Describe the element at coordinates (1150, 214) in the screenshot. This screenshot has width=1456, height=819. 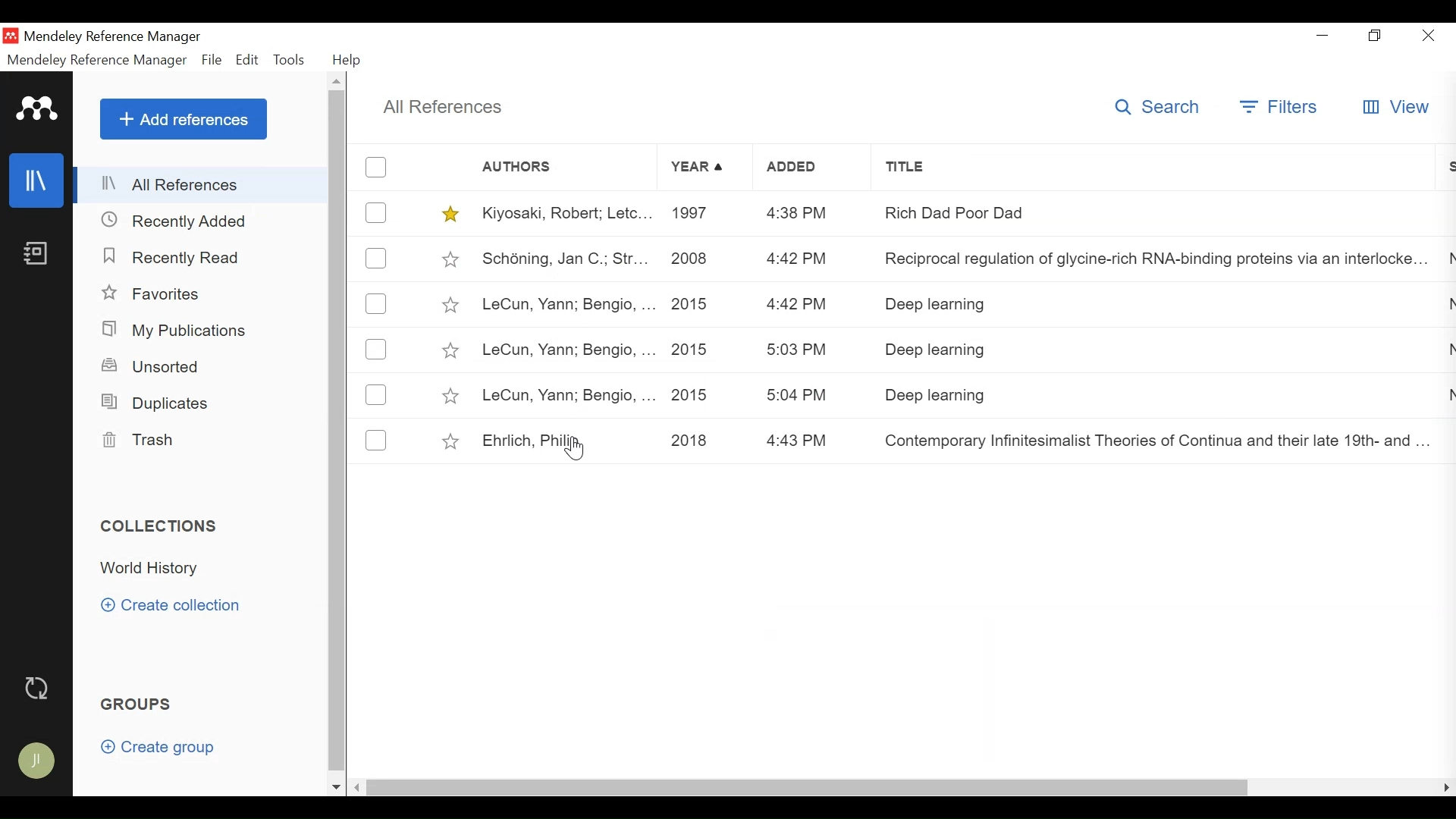
I see `Rich Dad Poor Dad` at that location.